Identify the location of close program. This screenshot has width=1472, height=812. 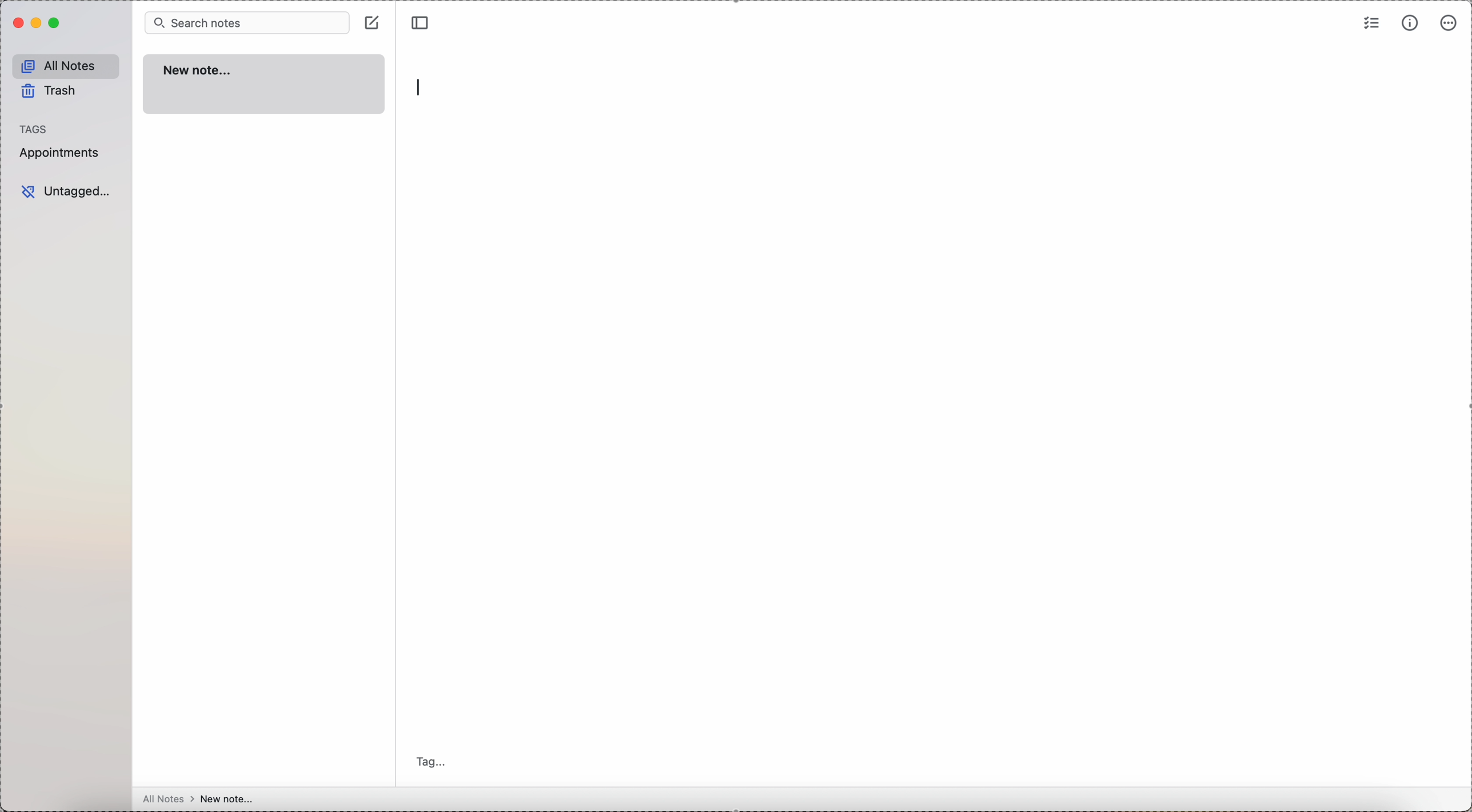
(17, 23).